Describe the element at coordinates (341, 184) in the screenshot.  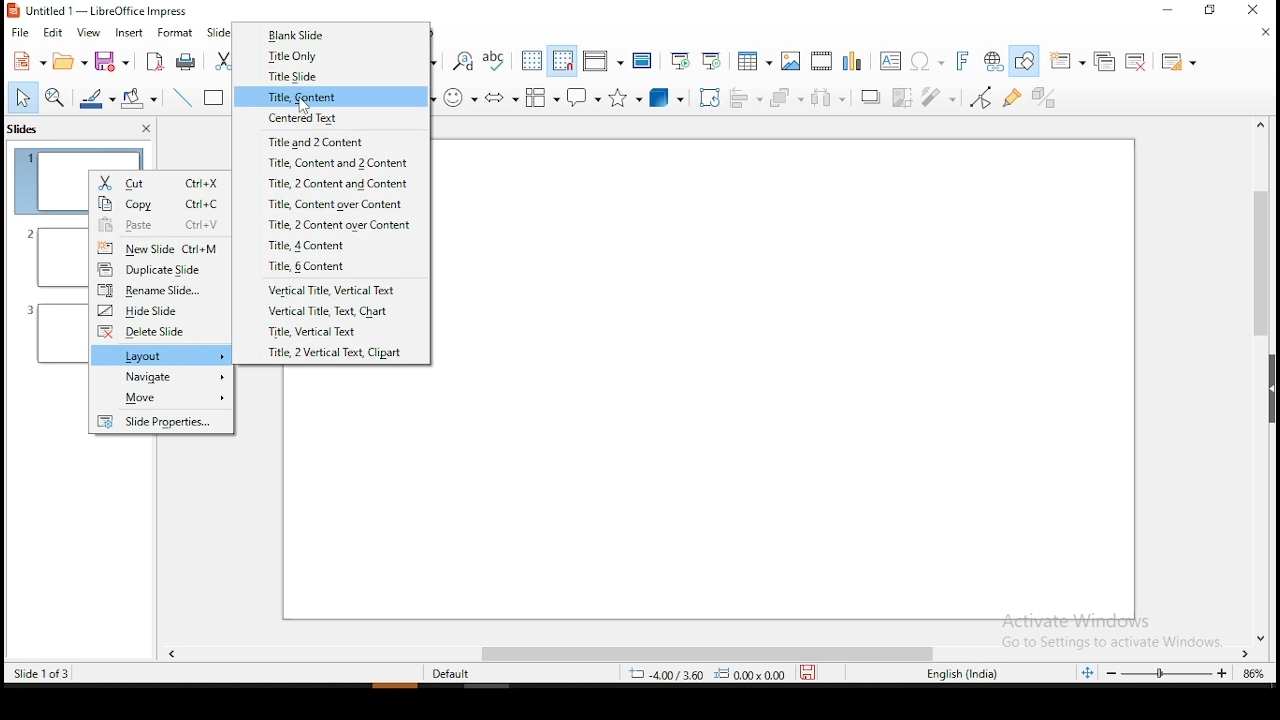
I see `title, 2 content and content` at that location.